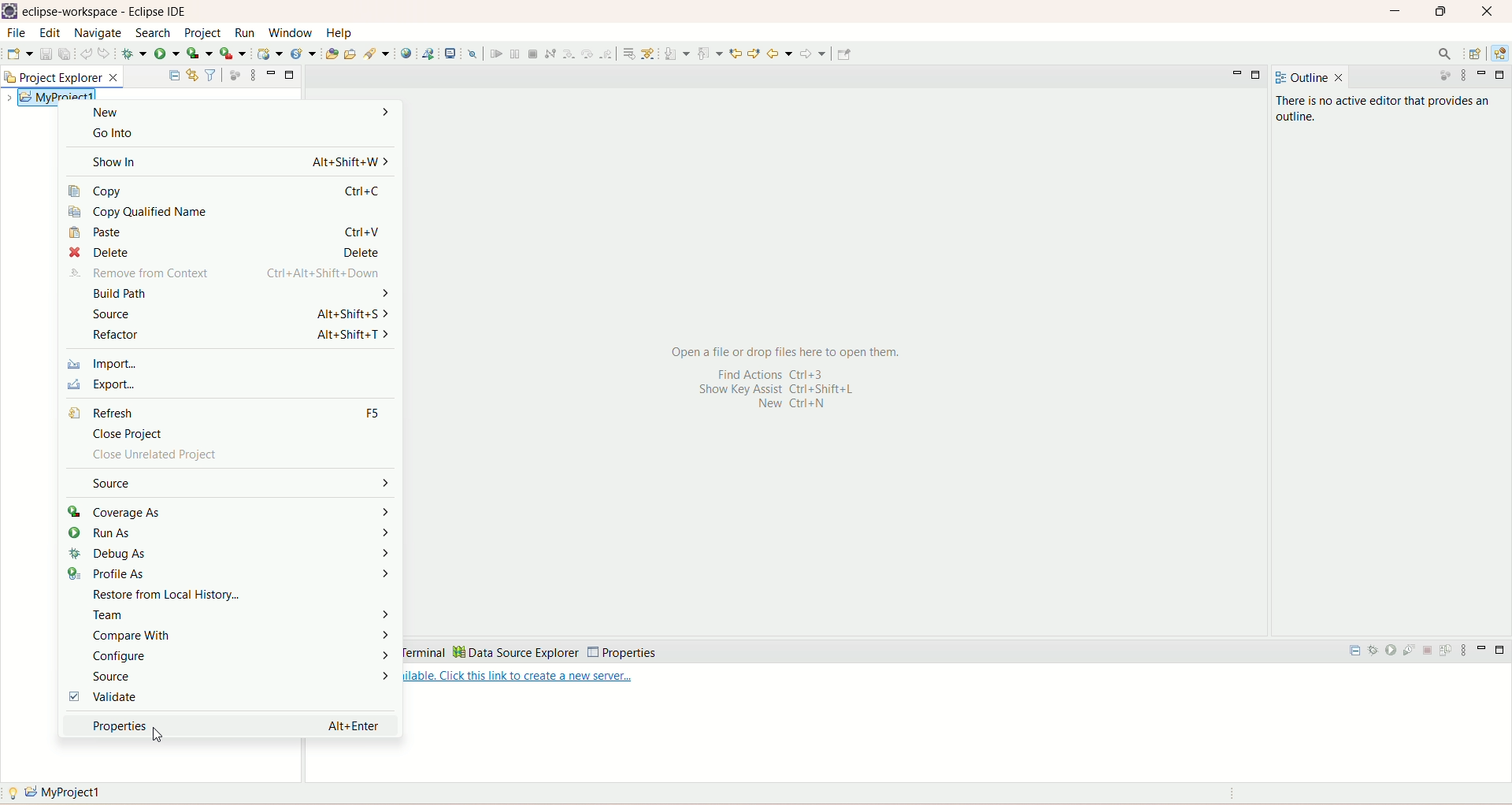 The width and height of the screenshot is (1512, 805). Describe the element at coordinates (1397, 10) in the screenshot. I see `minimize` at that location.